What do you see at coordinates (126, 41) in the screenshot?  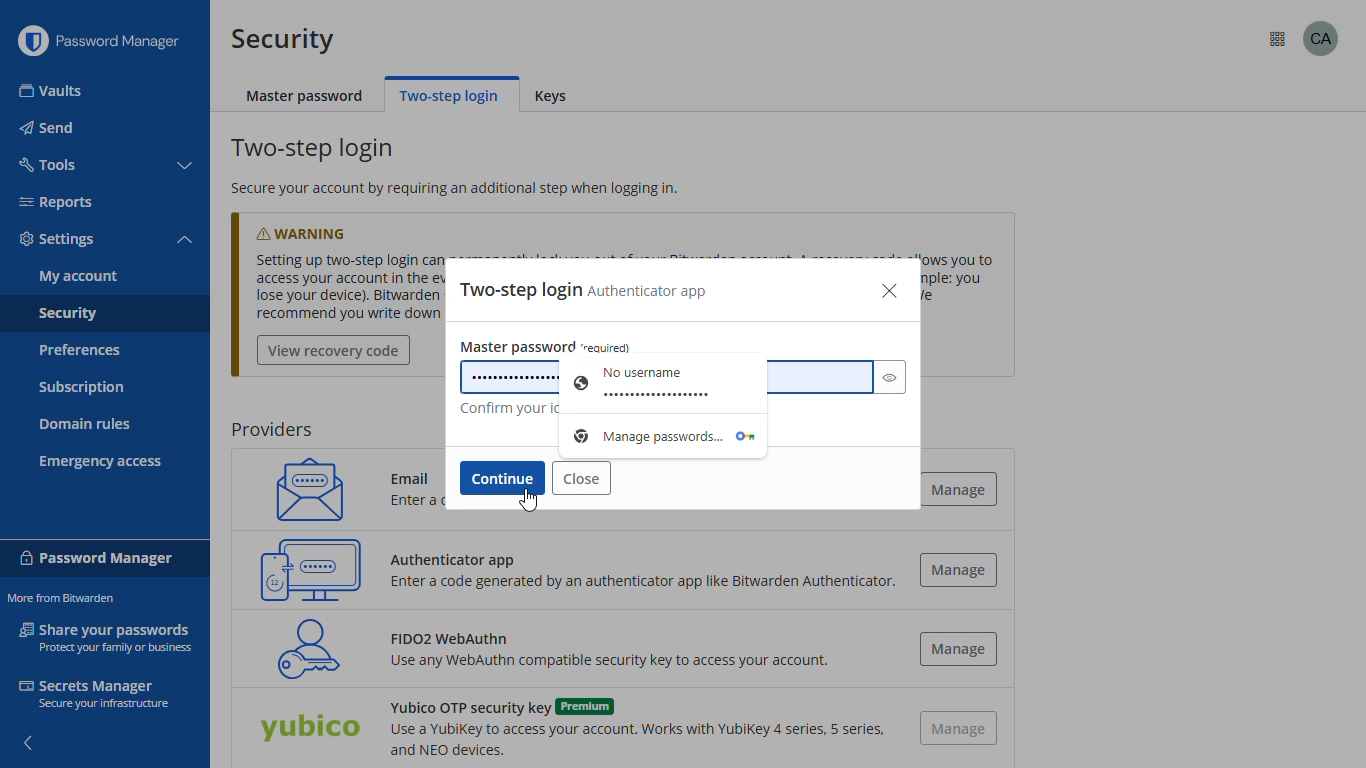 I see `password manager` at bounding box center [126, 41].